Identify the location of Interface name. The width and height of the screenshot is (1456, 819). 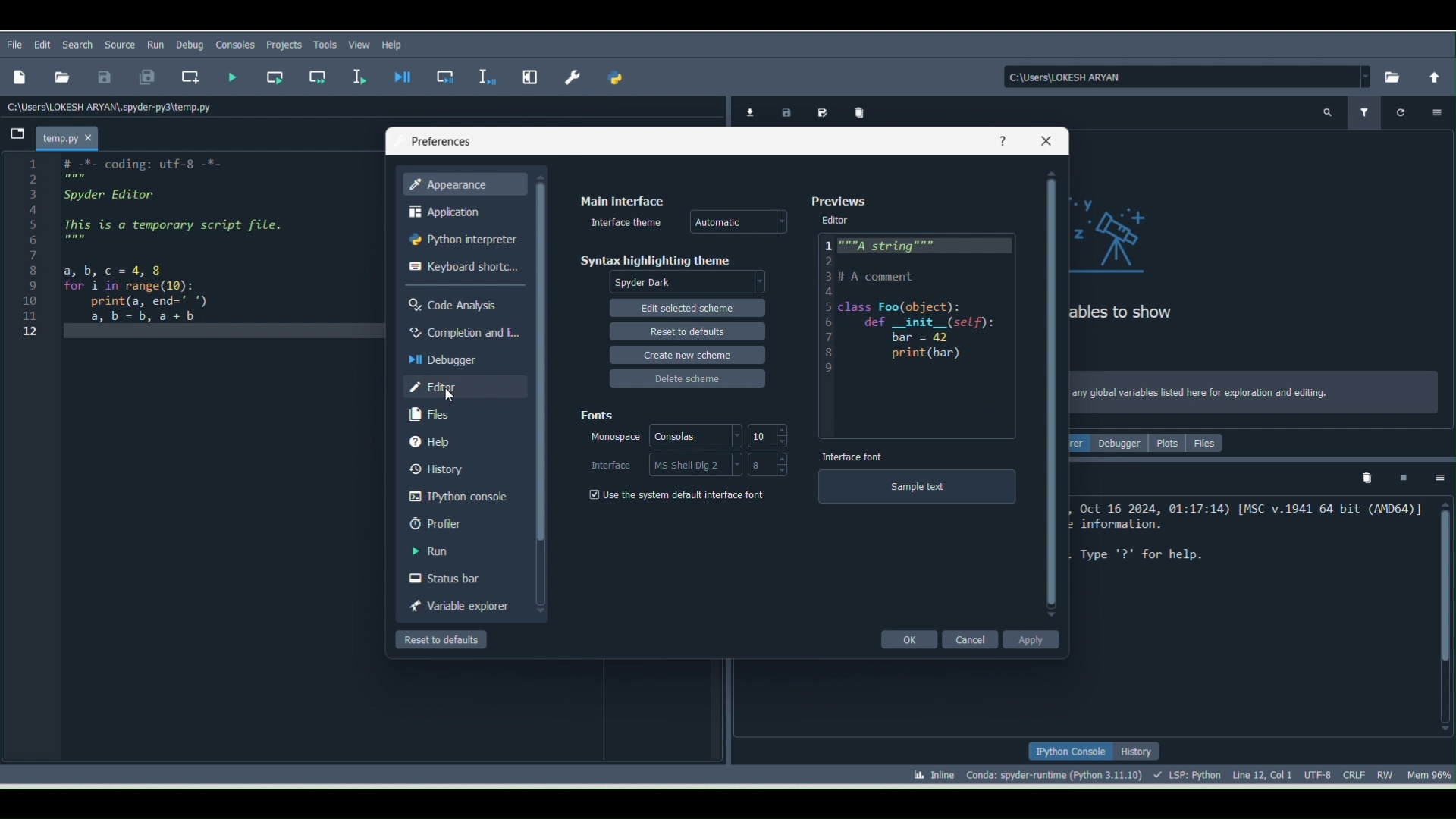
(697, 464).